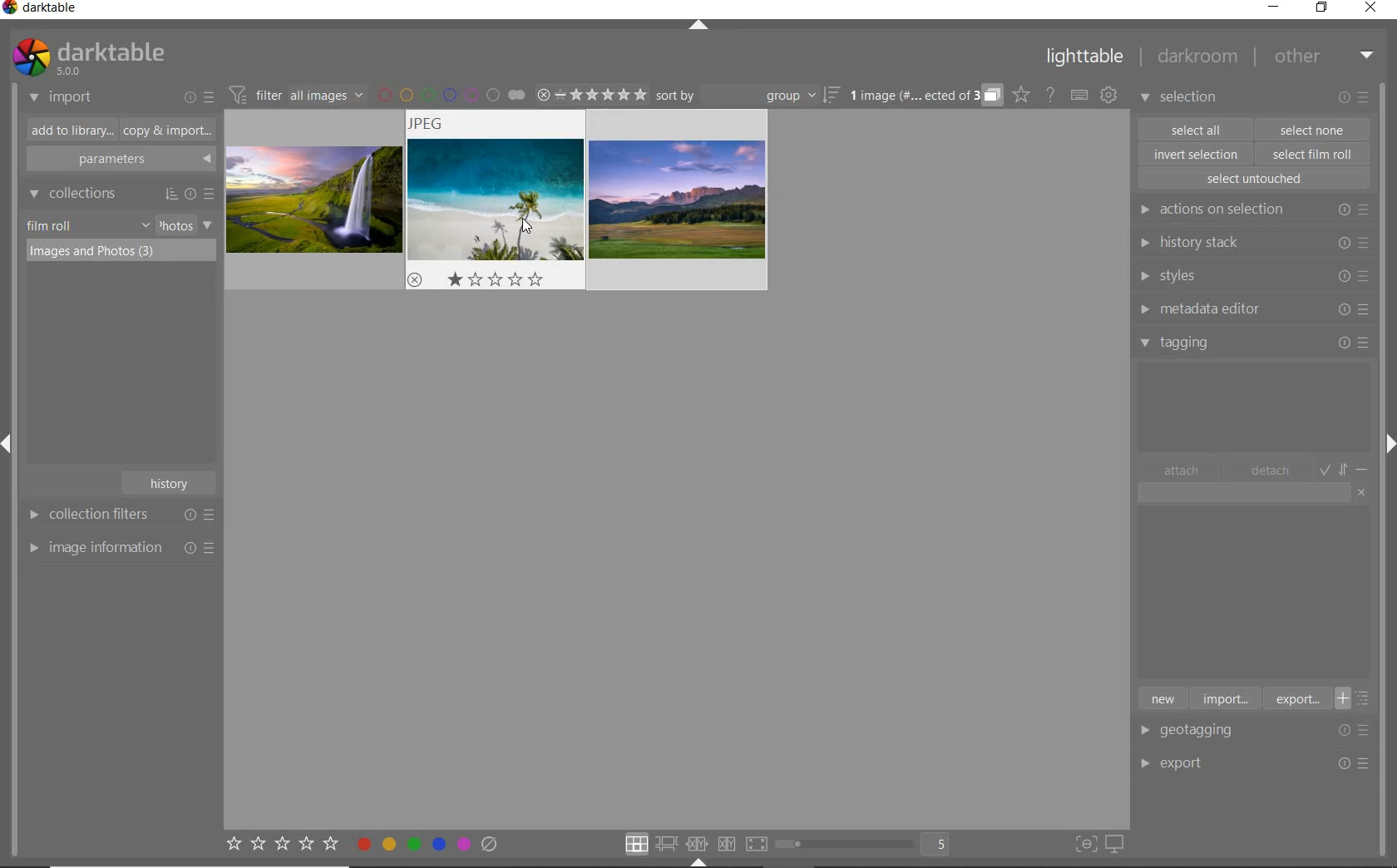  Describe the element at coordinates (1251, 309) in the screenshot. I see `metadata editor` at that location.